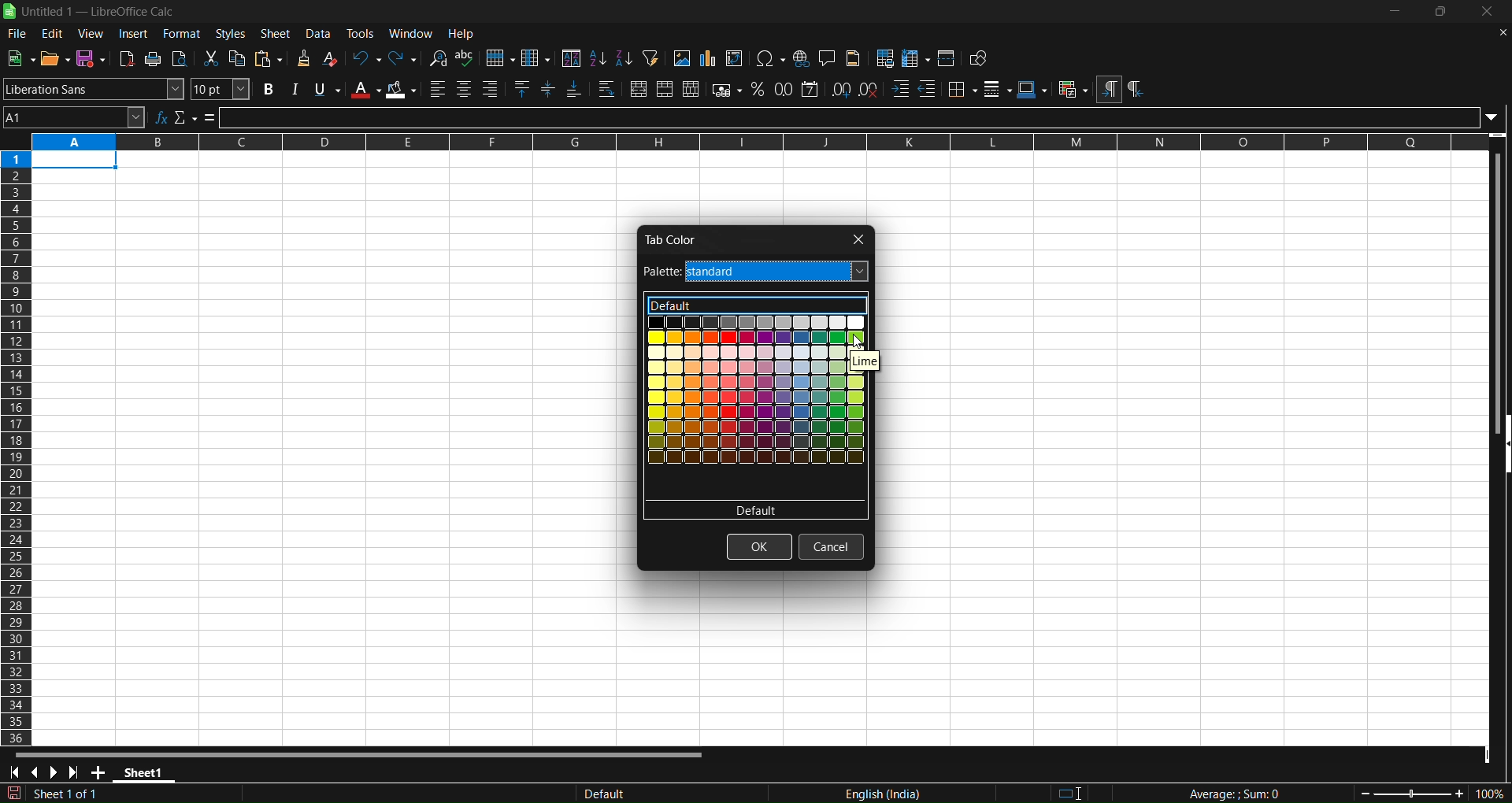 This screenshot has height=803, width=1512. Describe the element at coordinates (364, 33) in the screenshot. I see `tools` at that location.